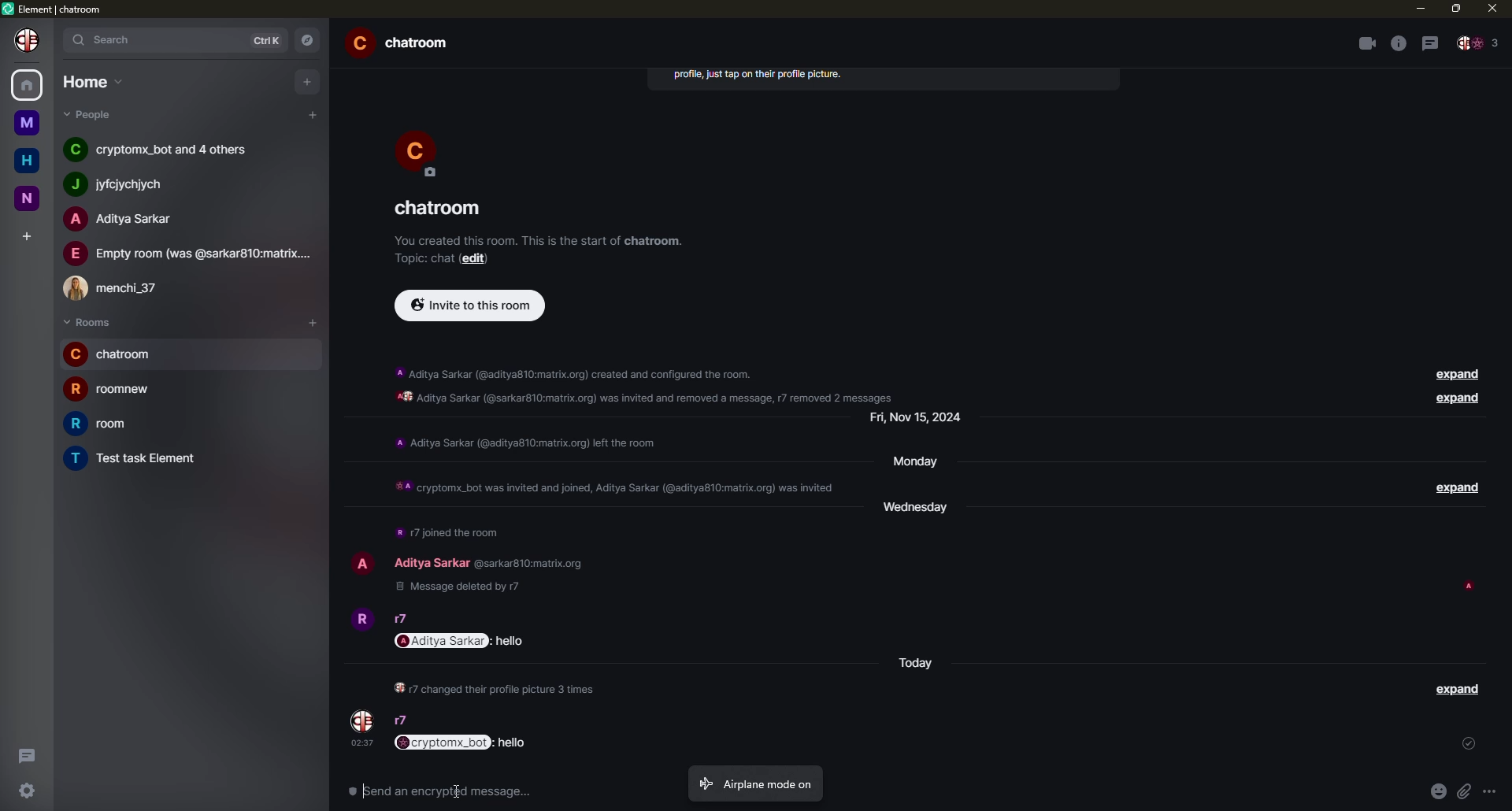 Image resolution: width=1512 pixels, height=811 pixels. I want to click on airplane mode on, so click(754, 783).